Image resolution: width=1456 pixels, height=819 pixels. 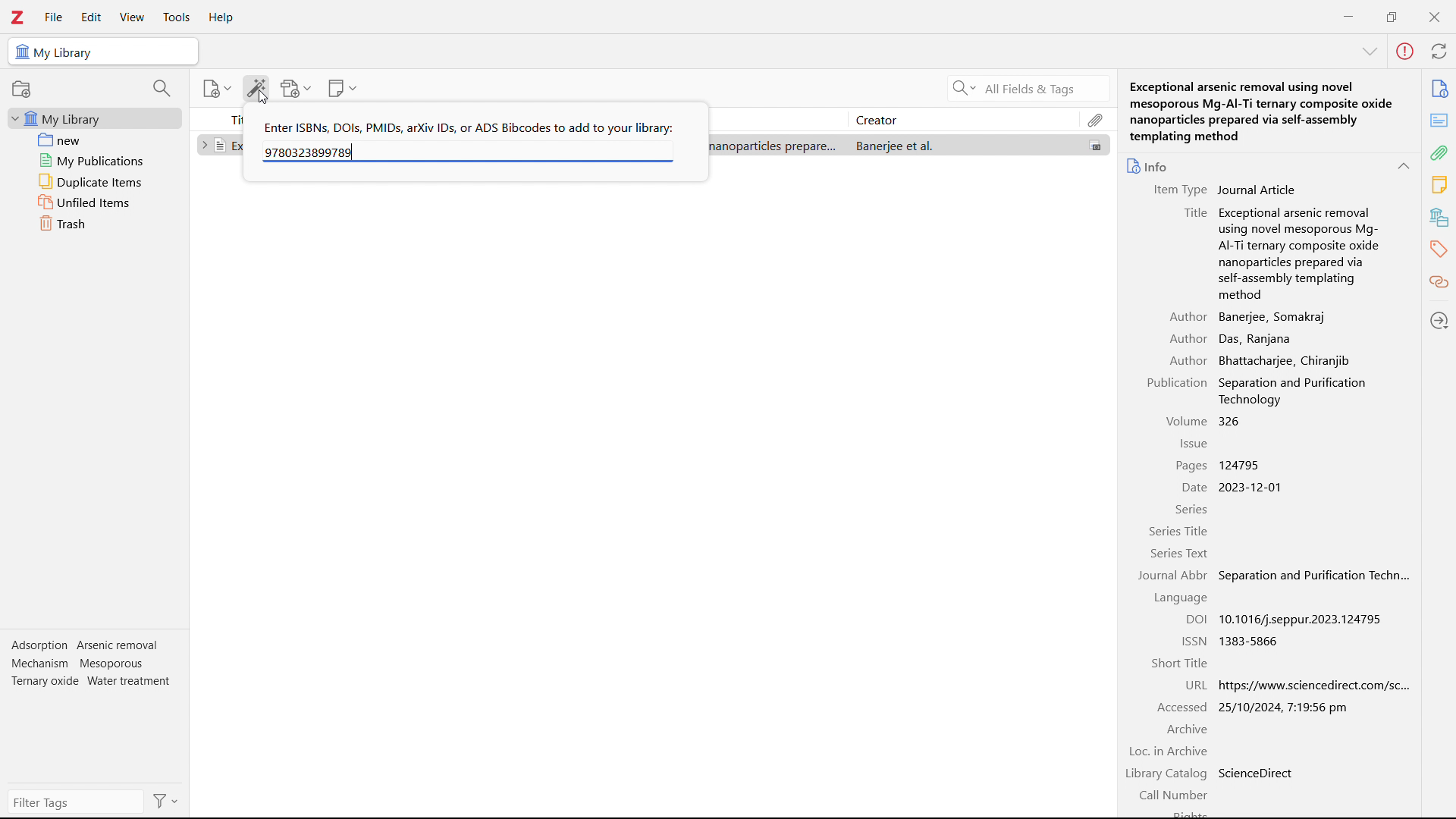 I want to click on Archive, so click(x=1186, y=730).